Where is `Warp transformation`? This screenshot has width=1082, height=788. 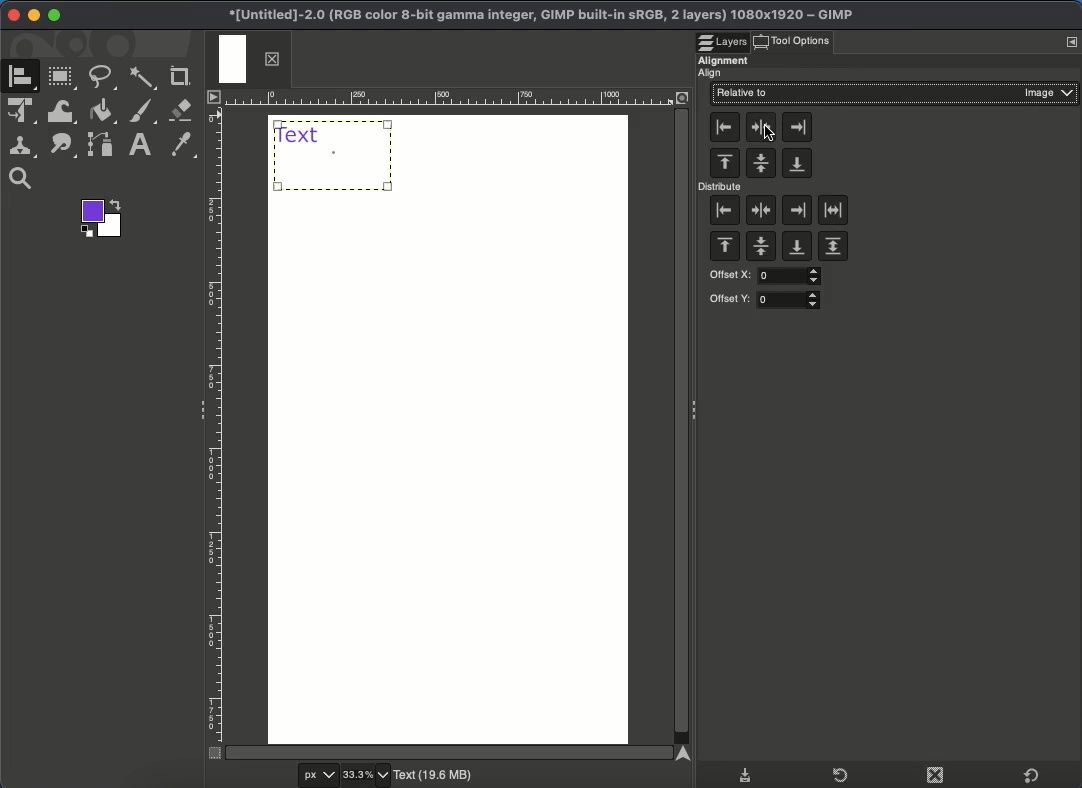
Warp transformation is located at coordinates (61, 111).